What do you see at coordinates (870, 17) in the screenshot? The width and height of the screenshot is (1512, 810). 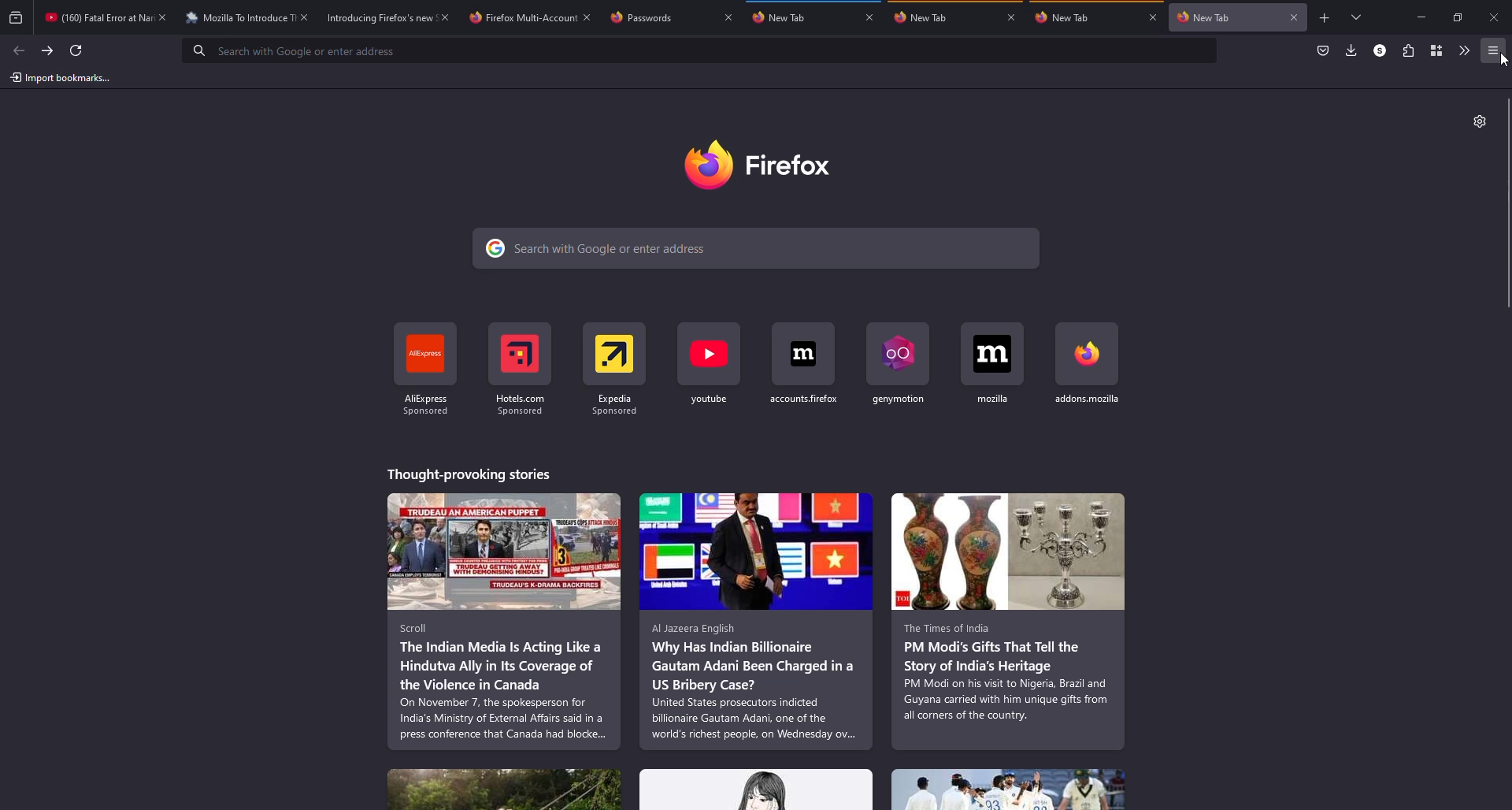 I see `close` at bounding box center [870, 17].